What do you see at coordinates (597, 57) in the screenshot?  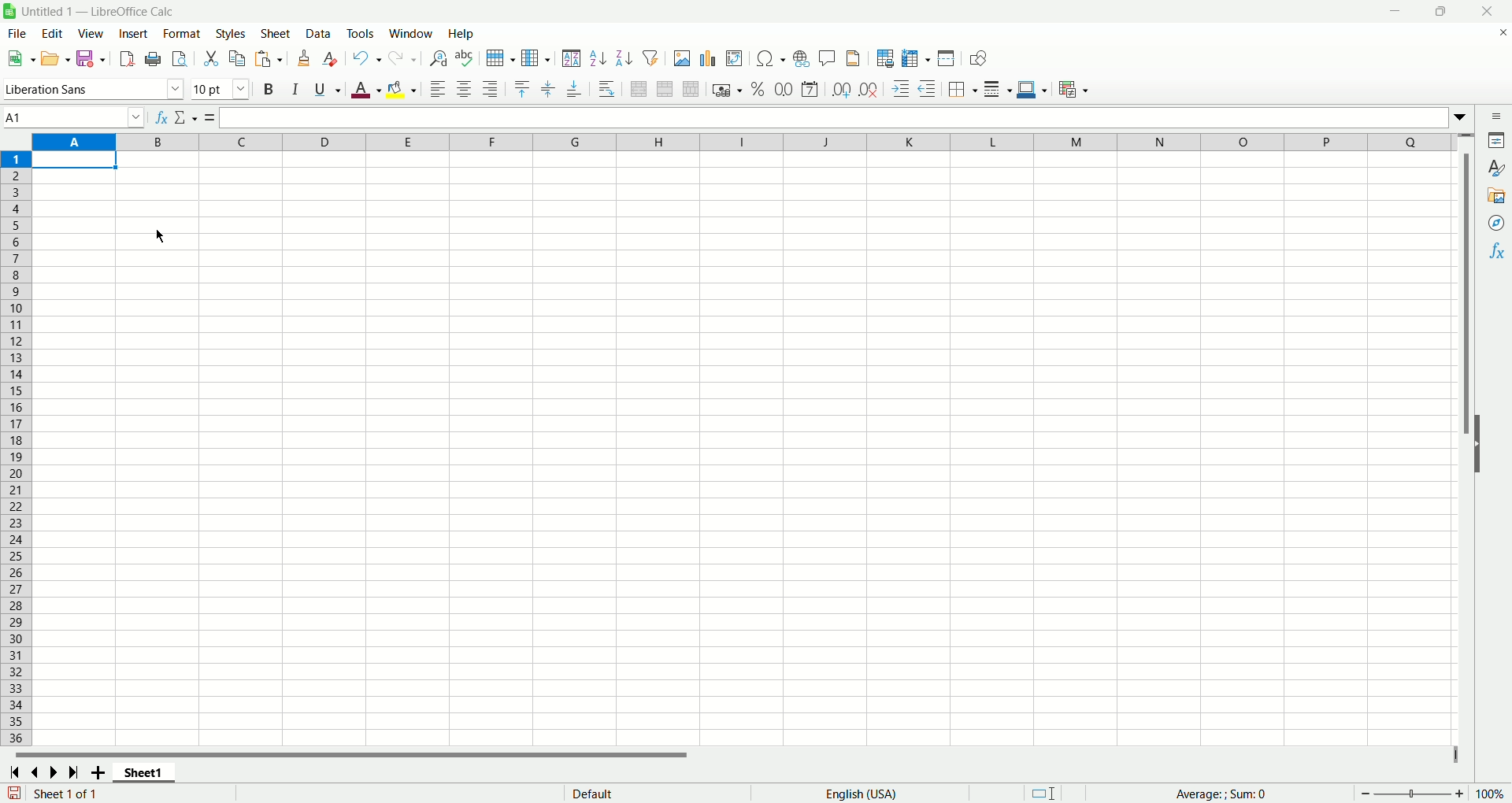 I see `sort ascending` at bounding box center [597, 57].